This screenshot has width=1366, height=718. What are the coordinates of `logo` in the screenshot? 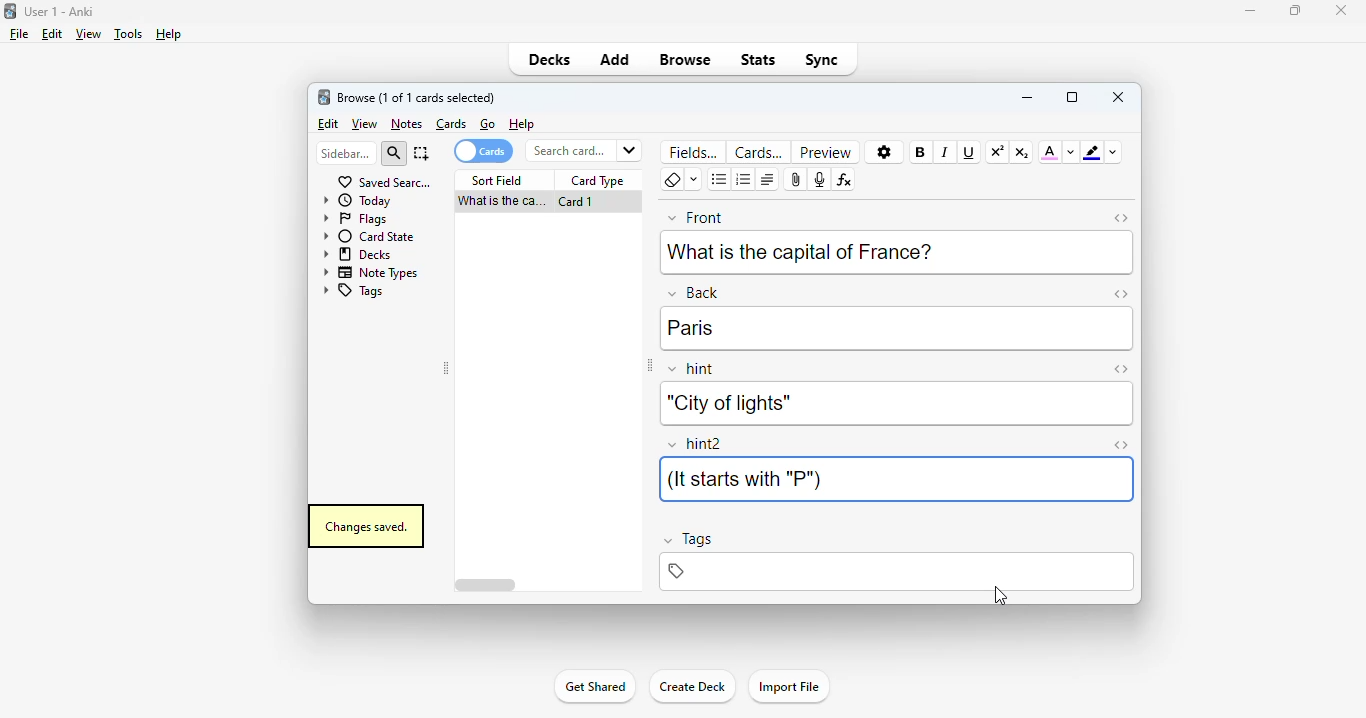 It's located at (9, 10).